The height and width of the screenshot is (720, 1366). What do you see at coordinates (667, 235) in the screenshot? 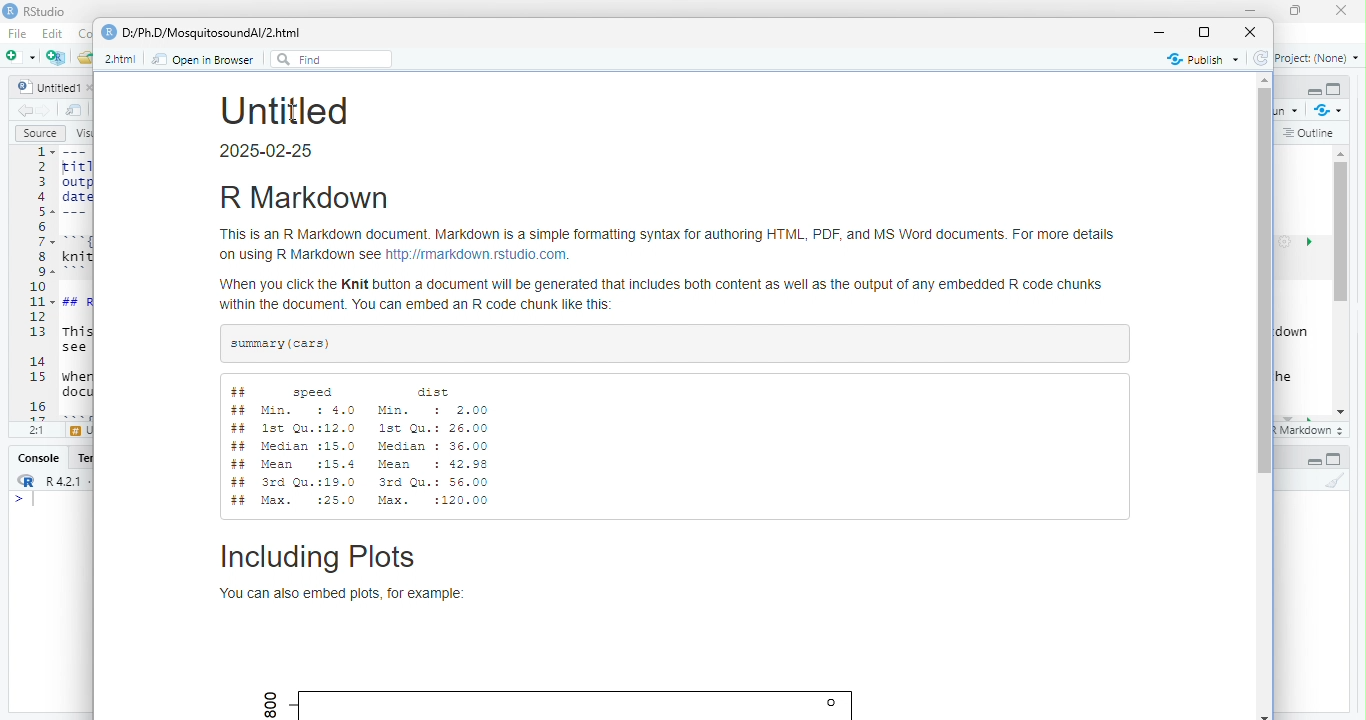
I see `This is an R Markdown document. Markdown is a simple formatting syntax for authoring HTML, PDF, and MS Word documents. For more details` at bounding box center [667, 235].